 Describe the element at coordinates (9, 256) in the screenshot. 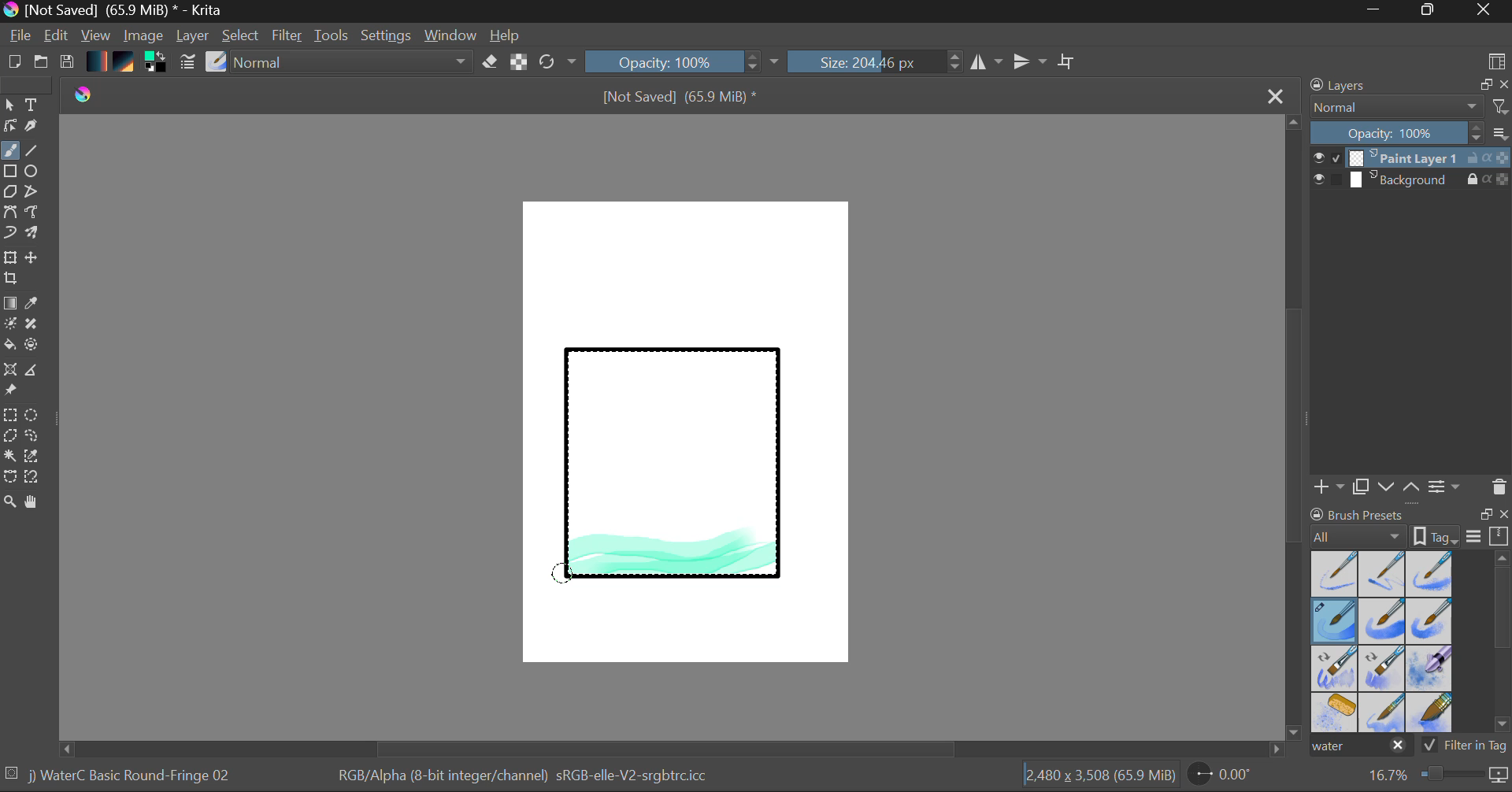

I see `Transform Layer` at that location.